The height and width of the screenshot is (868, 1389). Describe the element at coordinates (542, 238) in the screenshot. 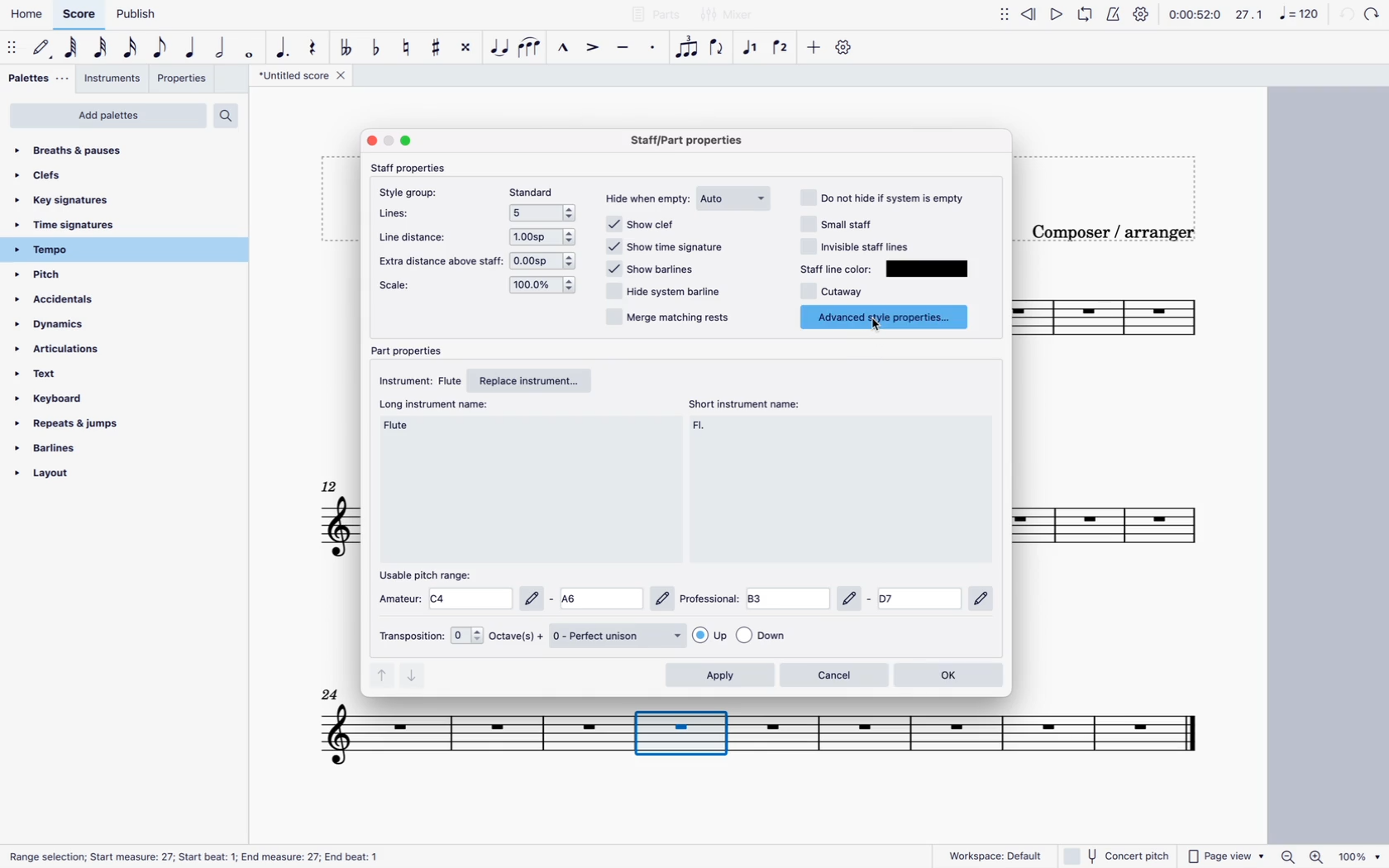

I see `options` at that location.